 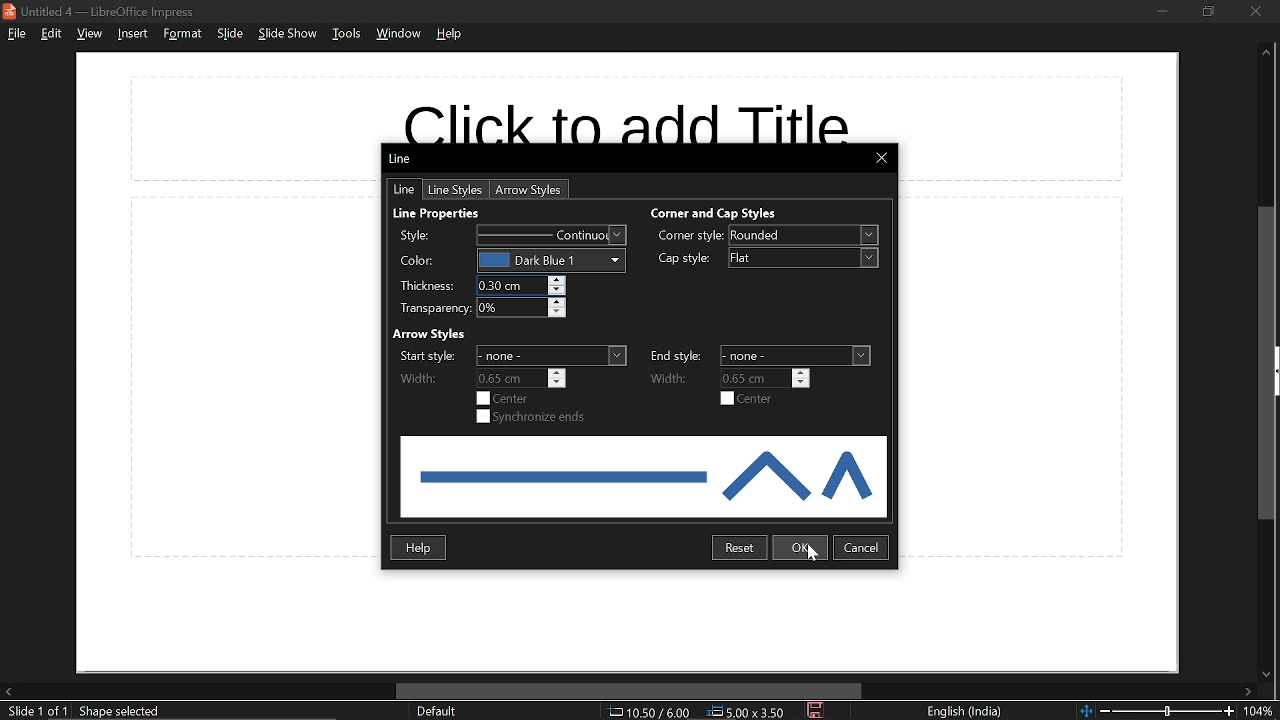 I want to click on save, so click(x=815, y=710).